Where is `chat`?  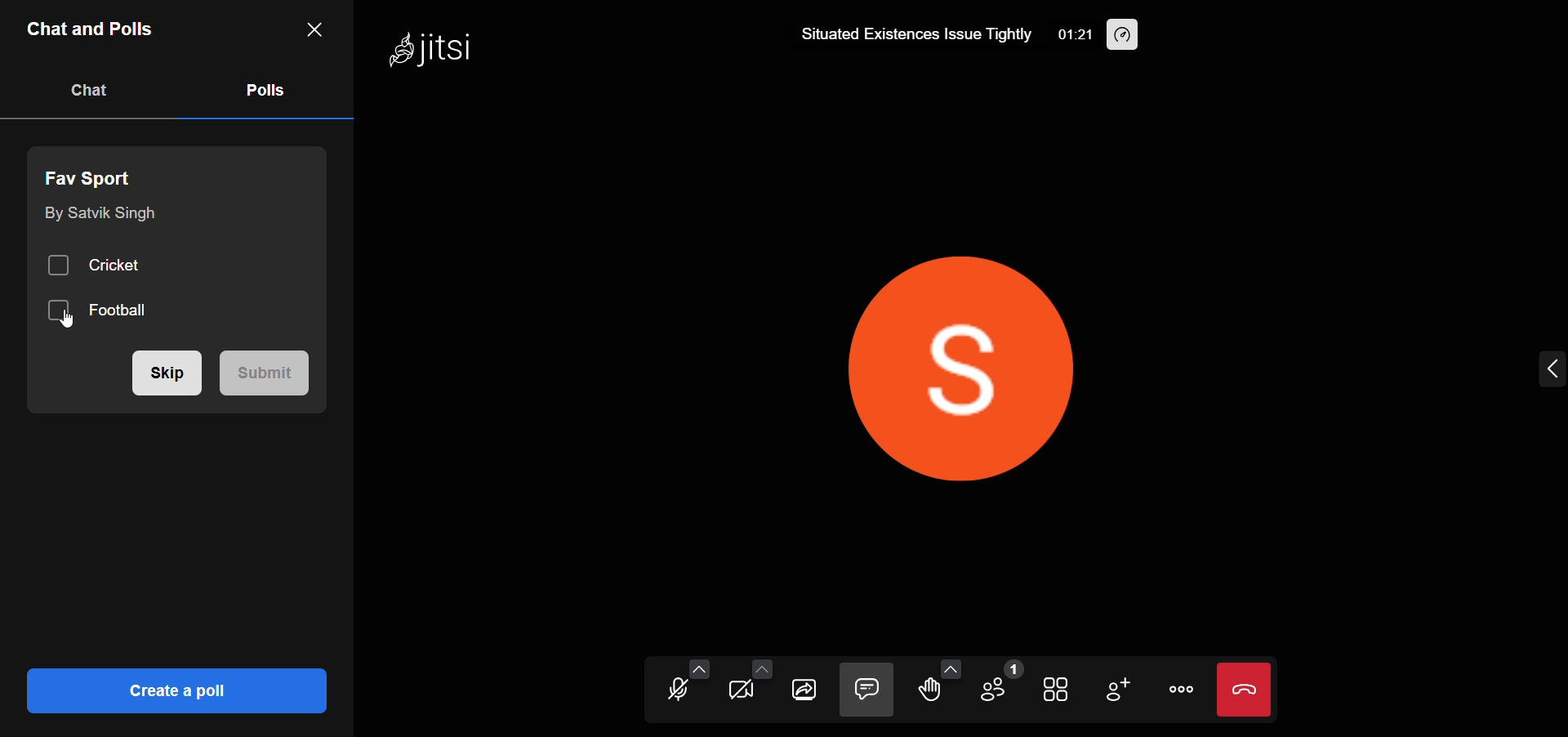 chat is located at coordinates (868, 688).